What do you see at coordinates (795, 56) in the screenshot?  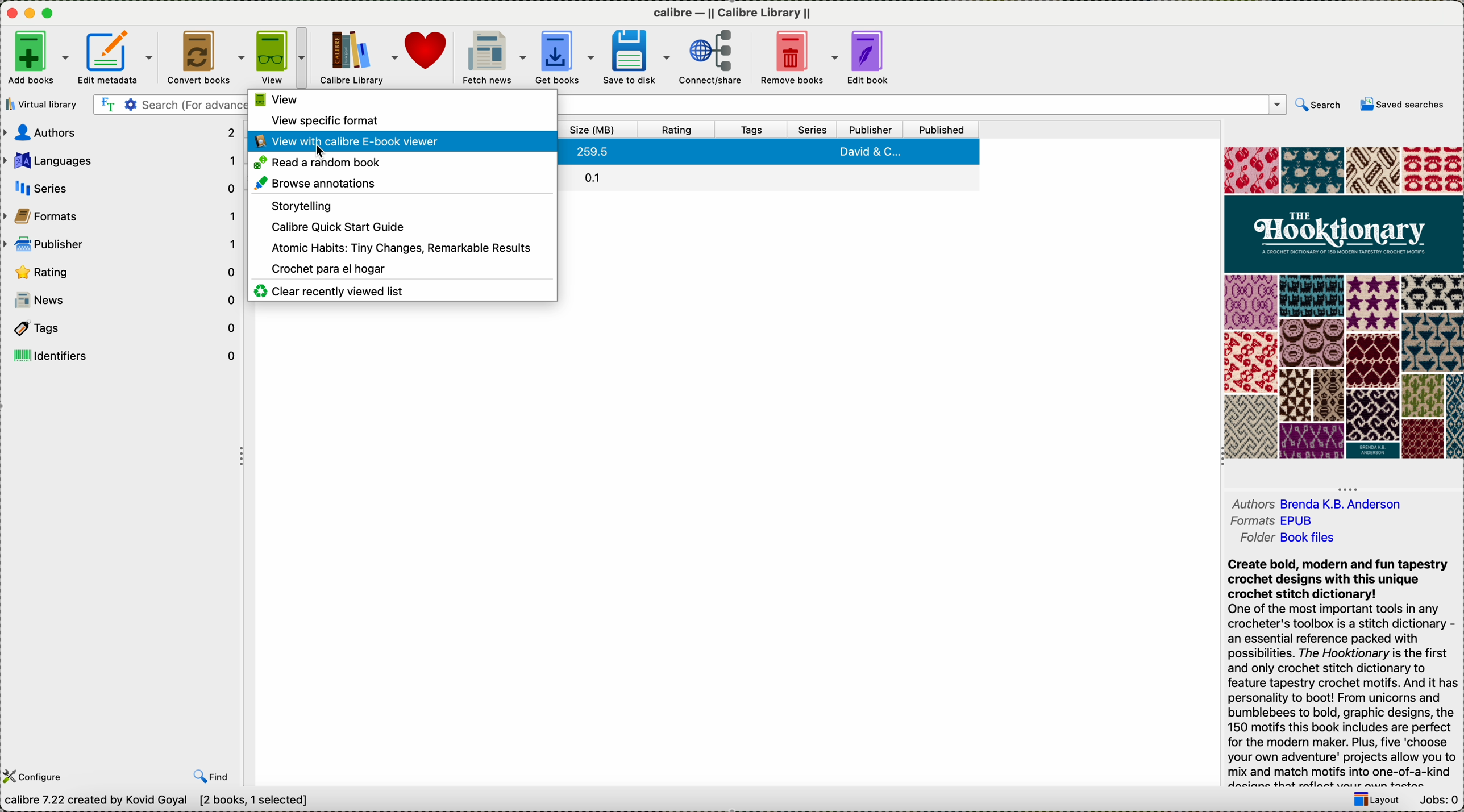 I see `remove books` at bounding box center [795, 56].